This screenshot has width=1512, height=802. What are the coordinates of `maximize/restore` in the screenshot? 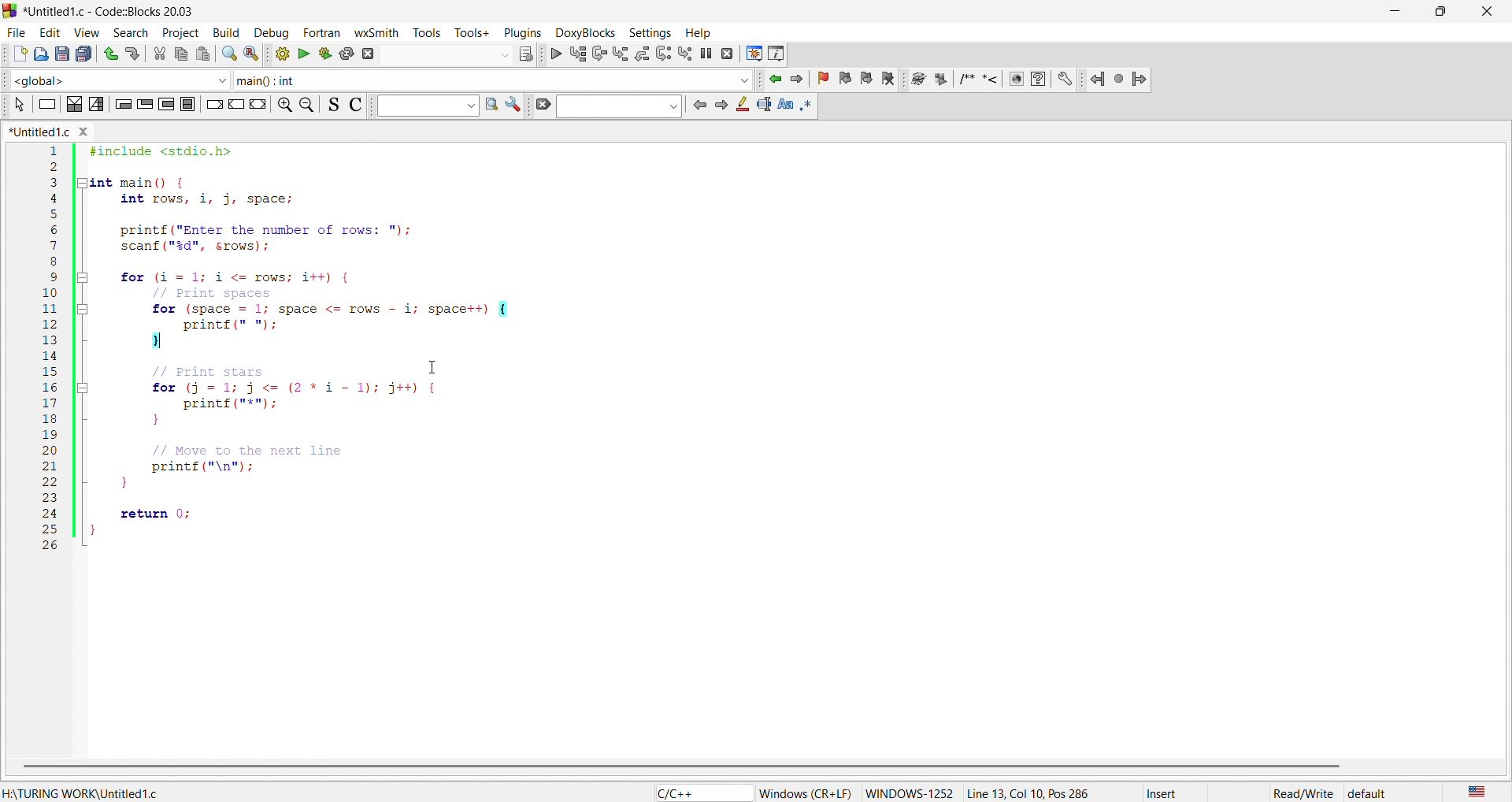 It's located at (1436, 11).